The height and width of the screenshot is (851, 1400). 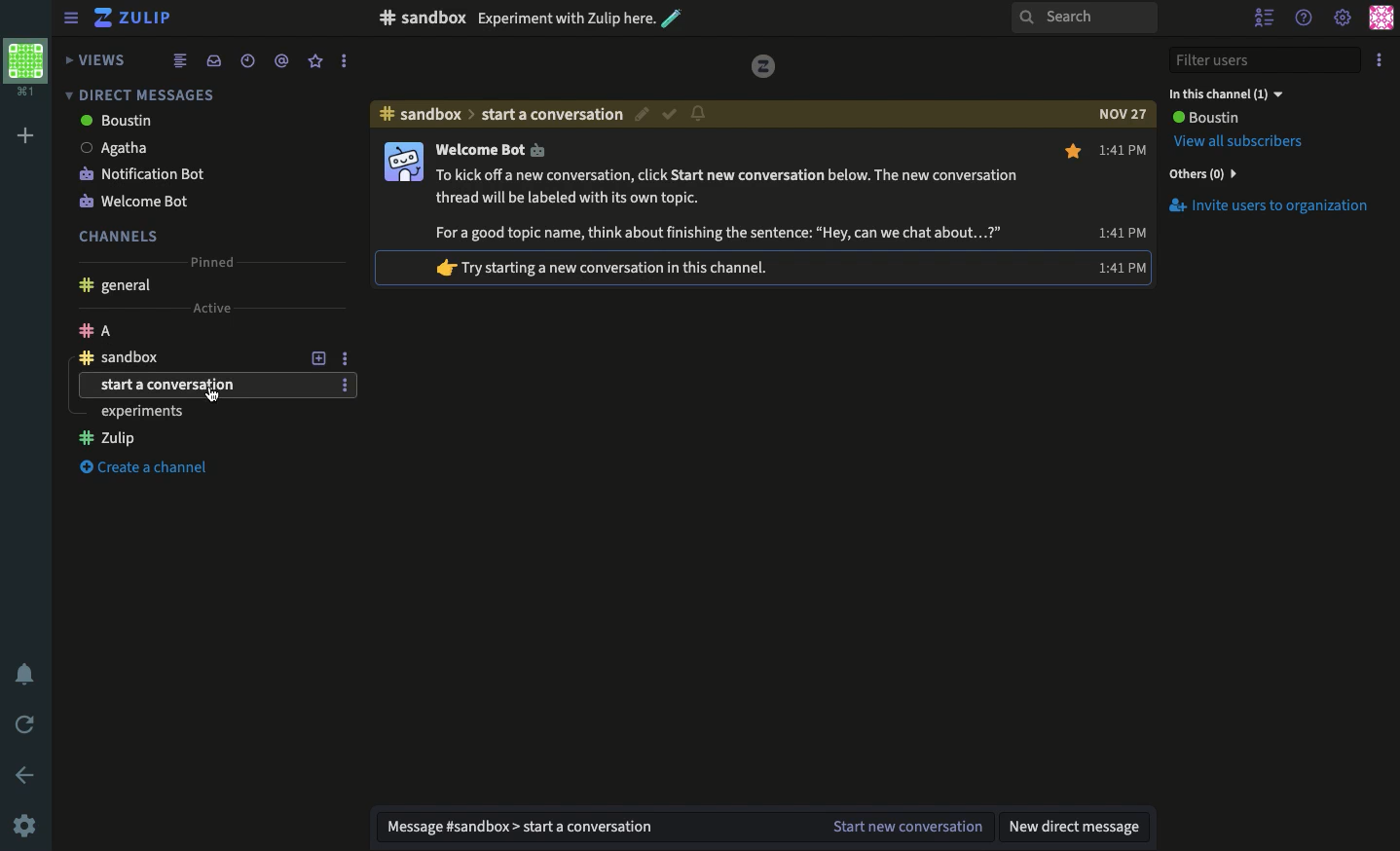 I want to click on Notification, so click(x=27, y=677).